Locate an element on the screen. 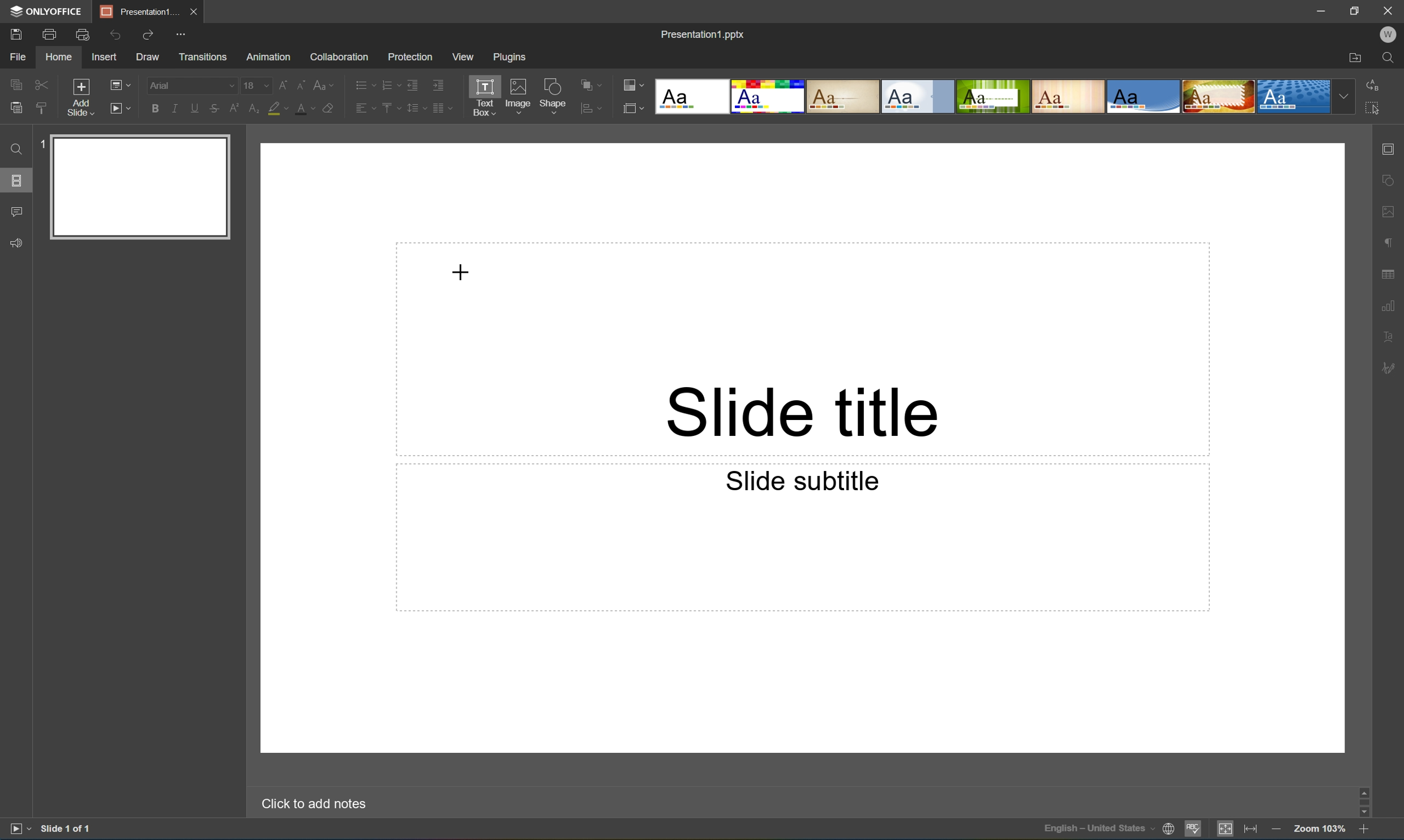 Image resolution: width=1404 pixels, height=840 pixels. Decrease indent is located at coordinates (412, 84).